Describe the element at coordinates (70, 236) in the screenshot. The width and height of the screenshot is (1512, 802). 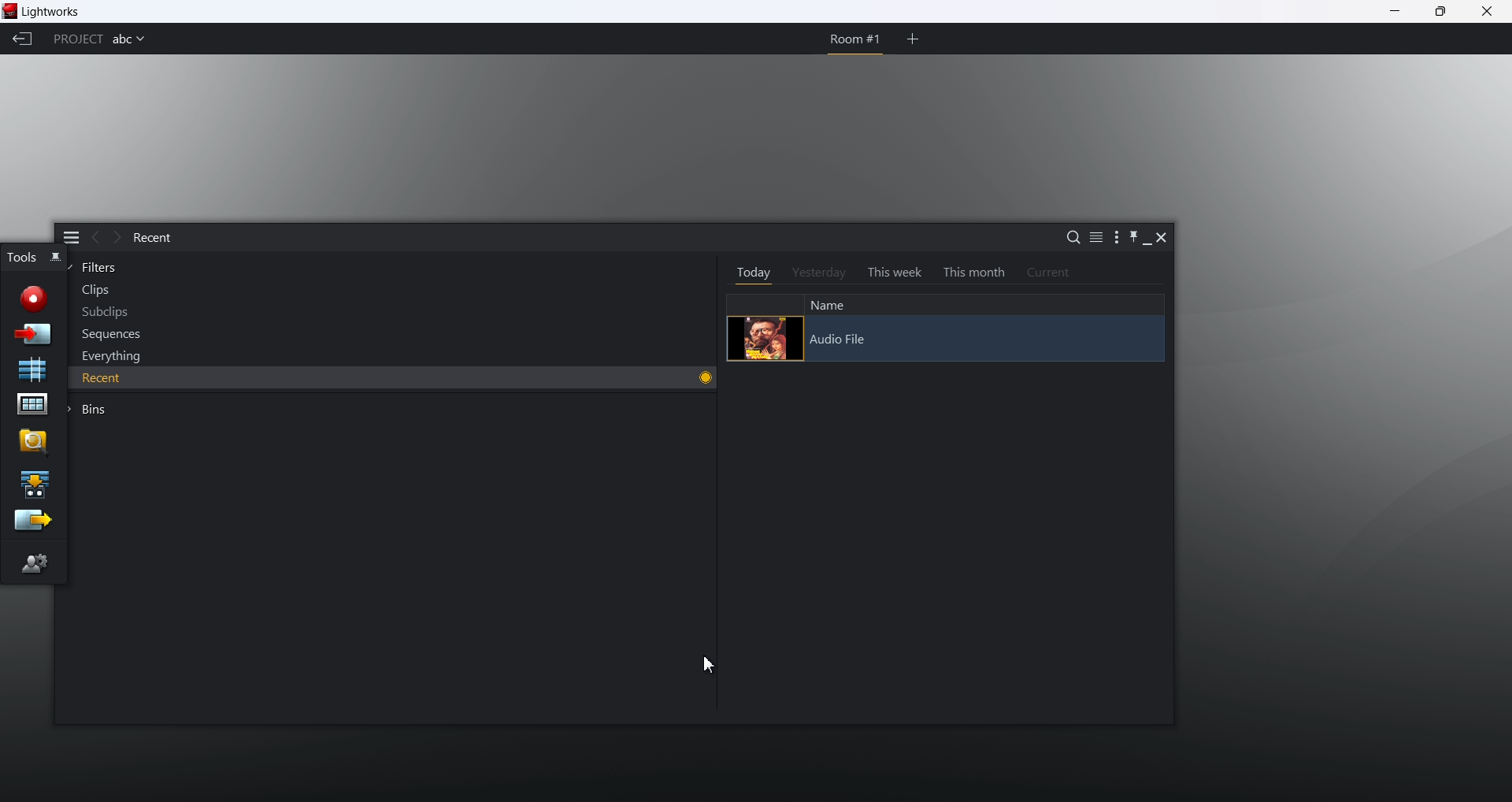
I see `show hide` at that location.